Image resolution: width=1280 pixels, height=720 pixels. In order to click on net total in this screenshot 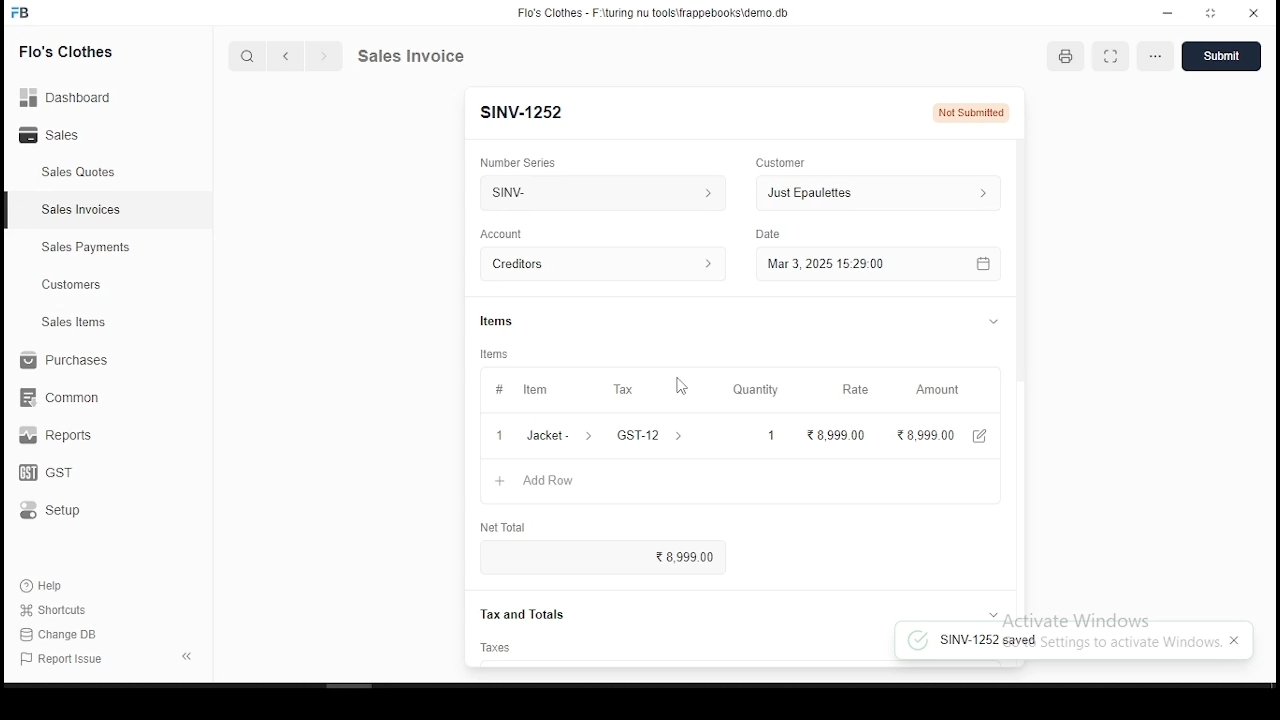, I will do `click(516, 523)`.